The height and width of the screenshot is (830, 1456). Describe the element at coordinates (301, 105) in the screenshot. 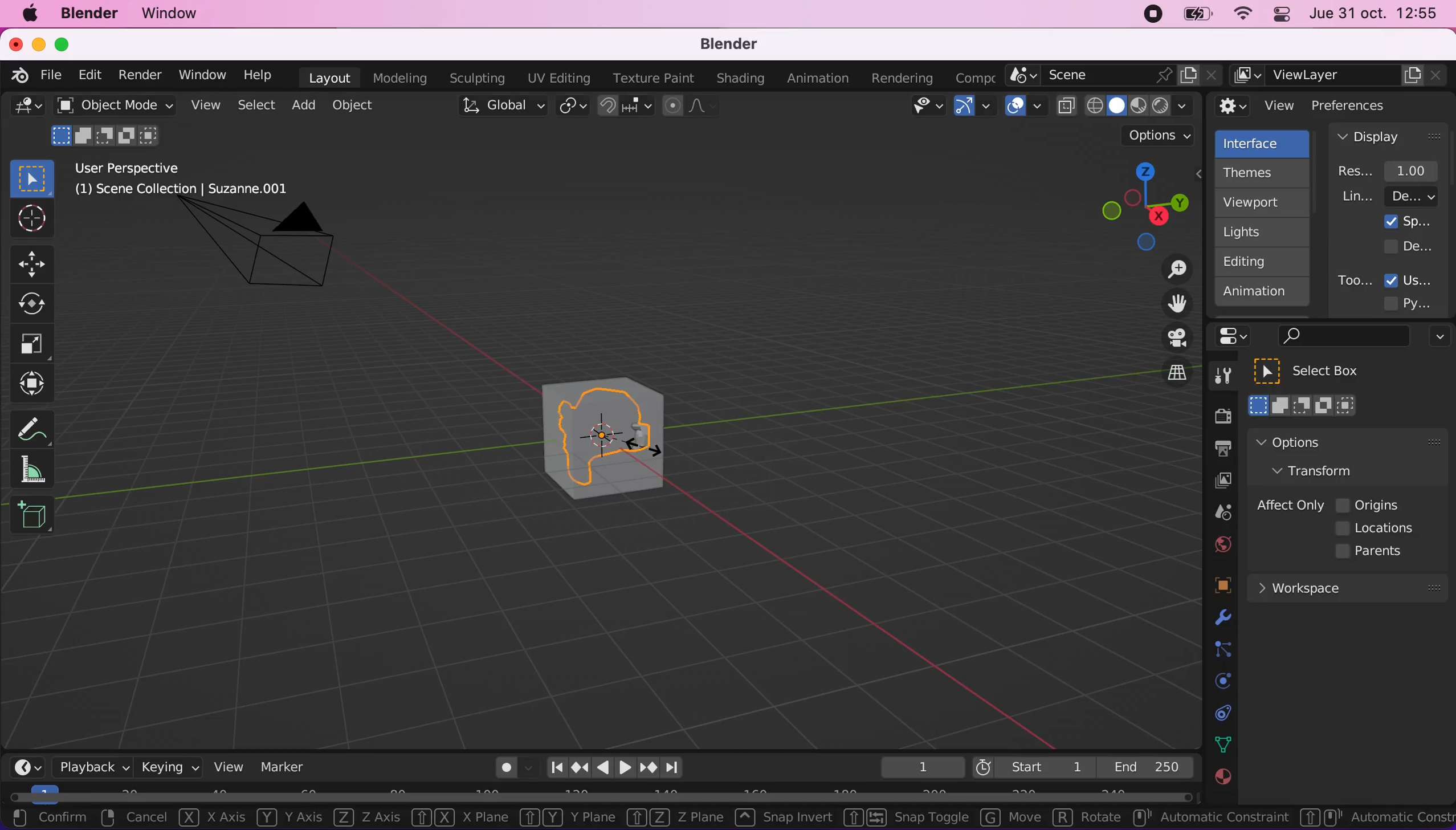

I see `add` at that location.